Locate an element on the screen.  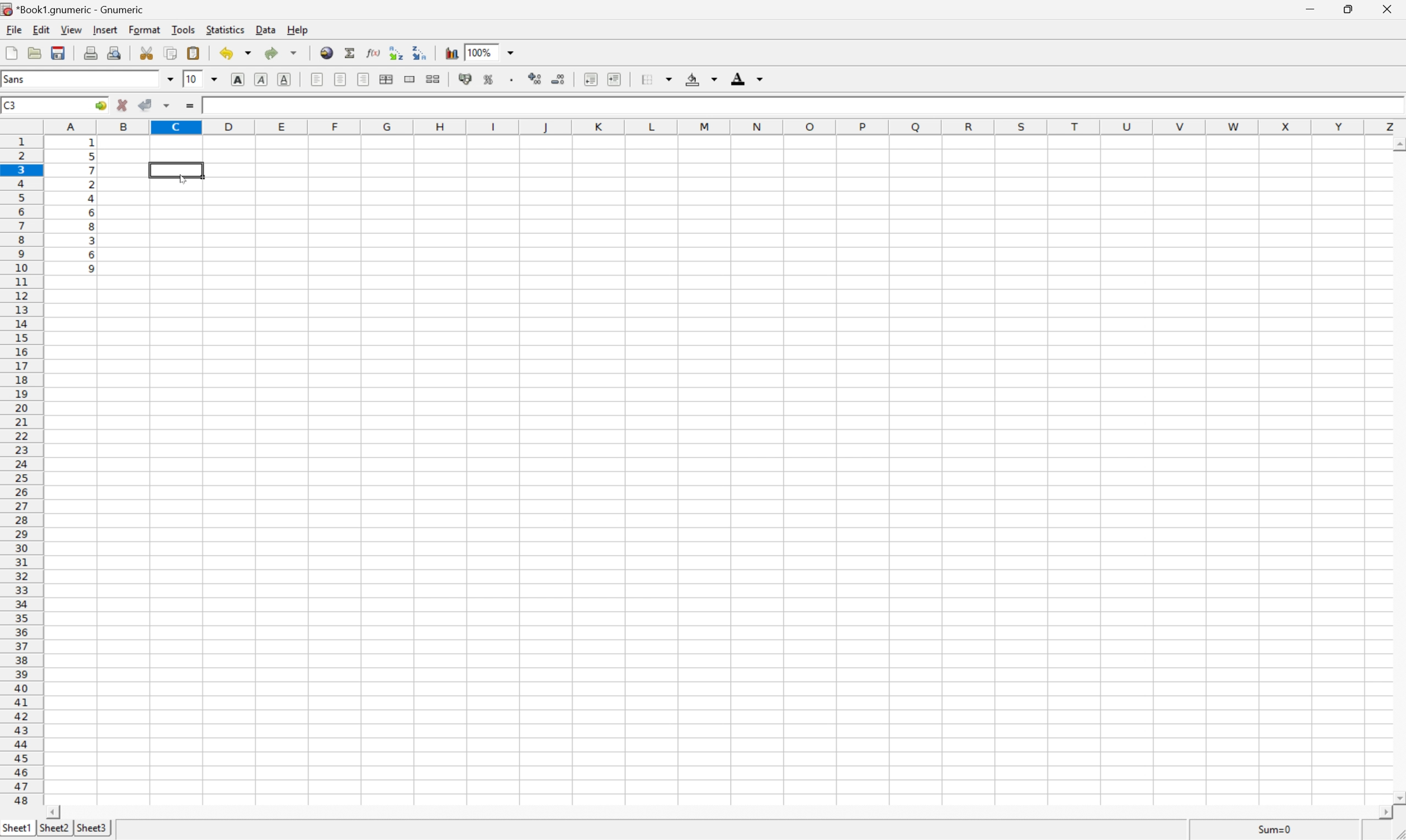
save current workbook is located at coordinates (58, 53).